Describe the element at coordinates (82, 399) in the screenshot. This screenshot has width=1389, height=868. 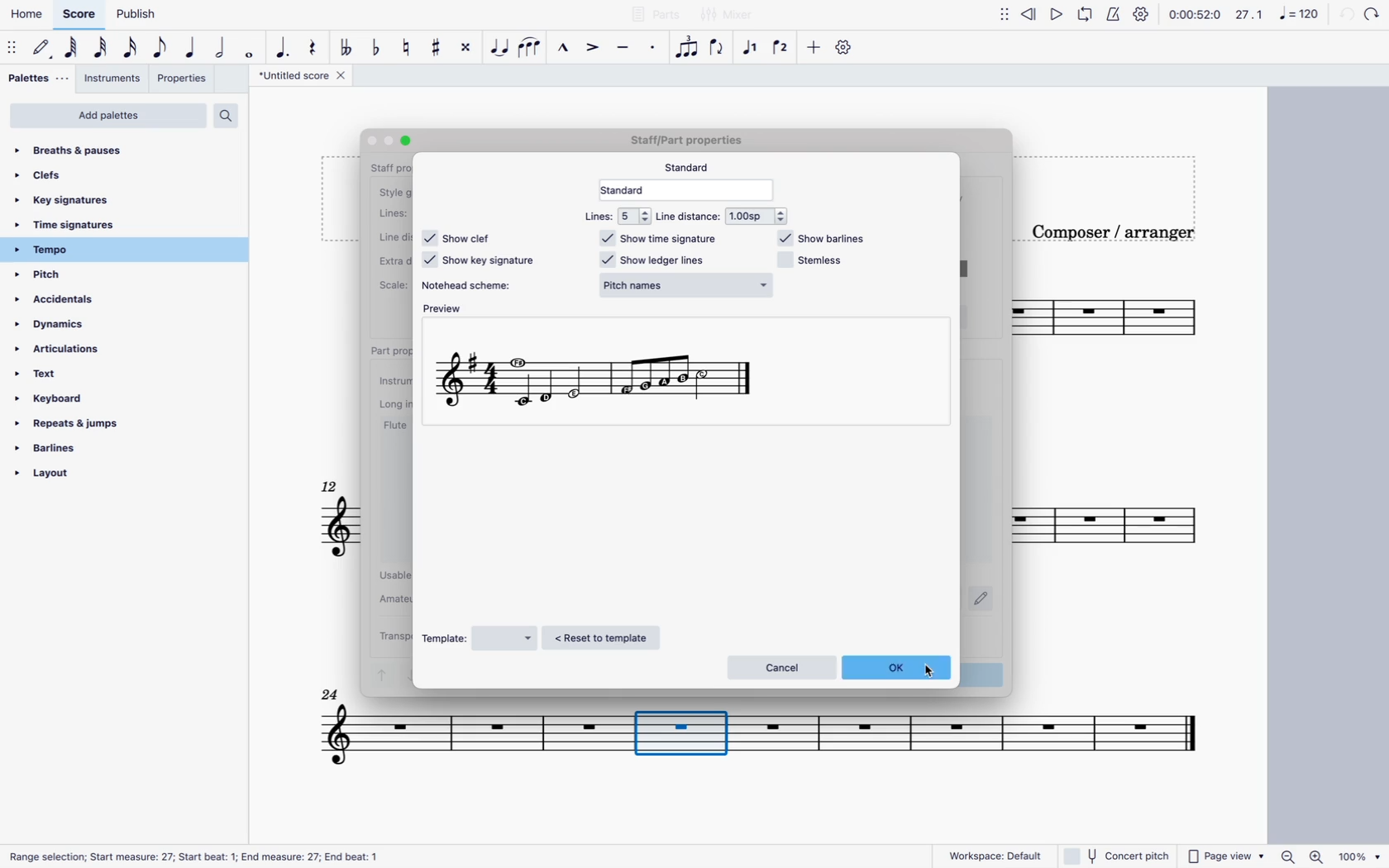
I see `keyboard` at that location.